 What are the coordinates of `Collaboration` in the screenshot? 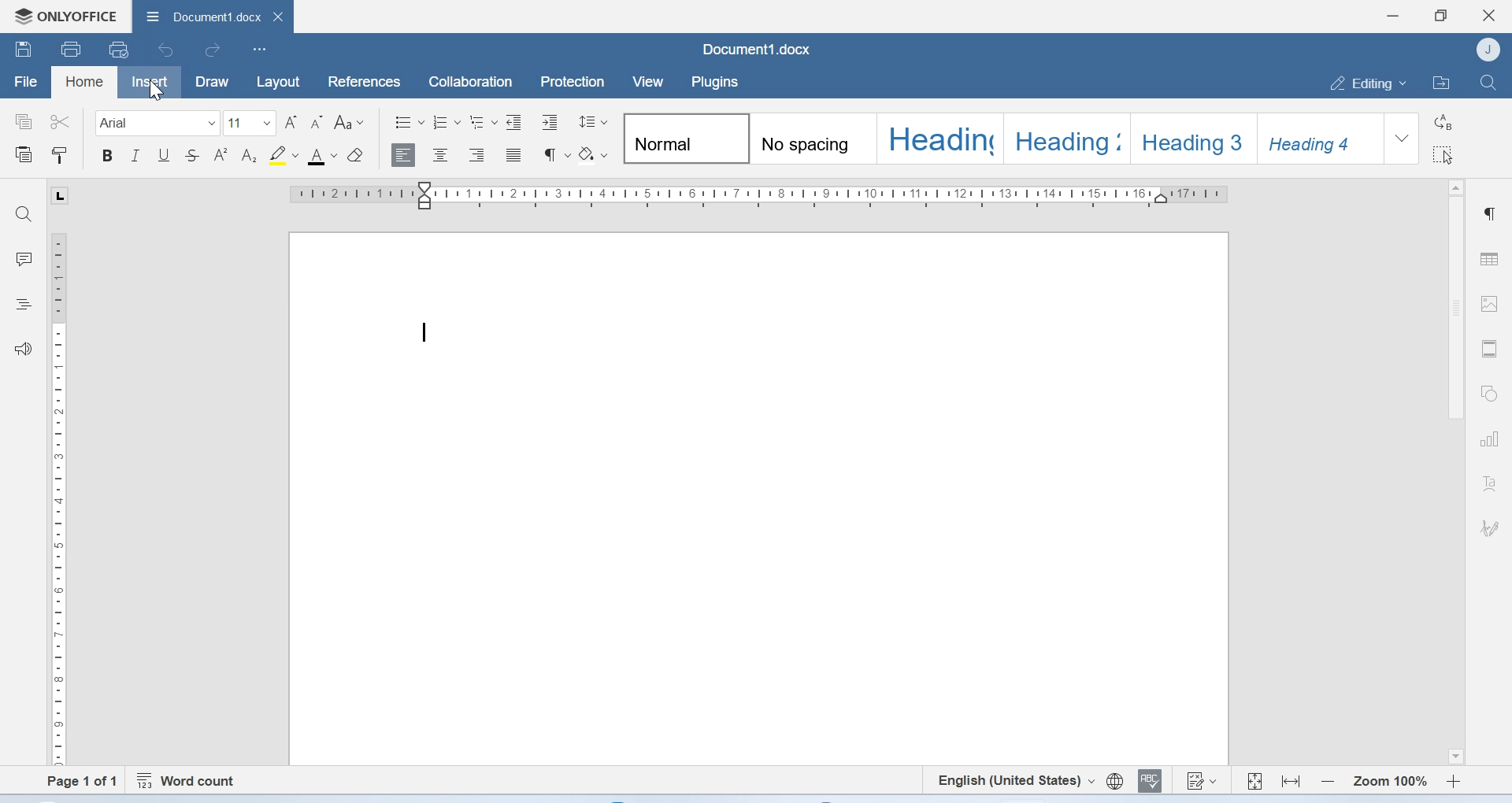 It's located at (471, 83).